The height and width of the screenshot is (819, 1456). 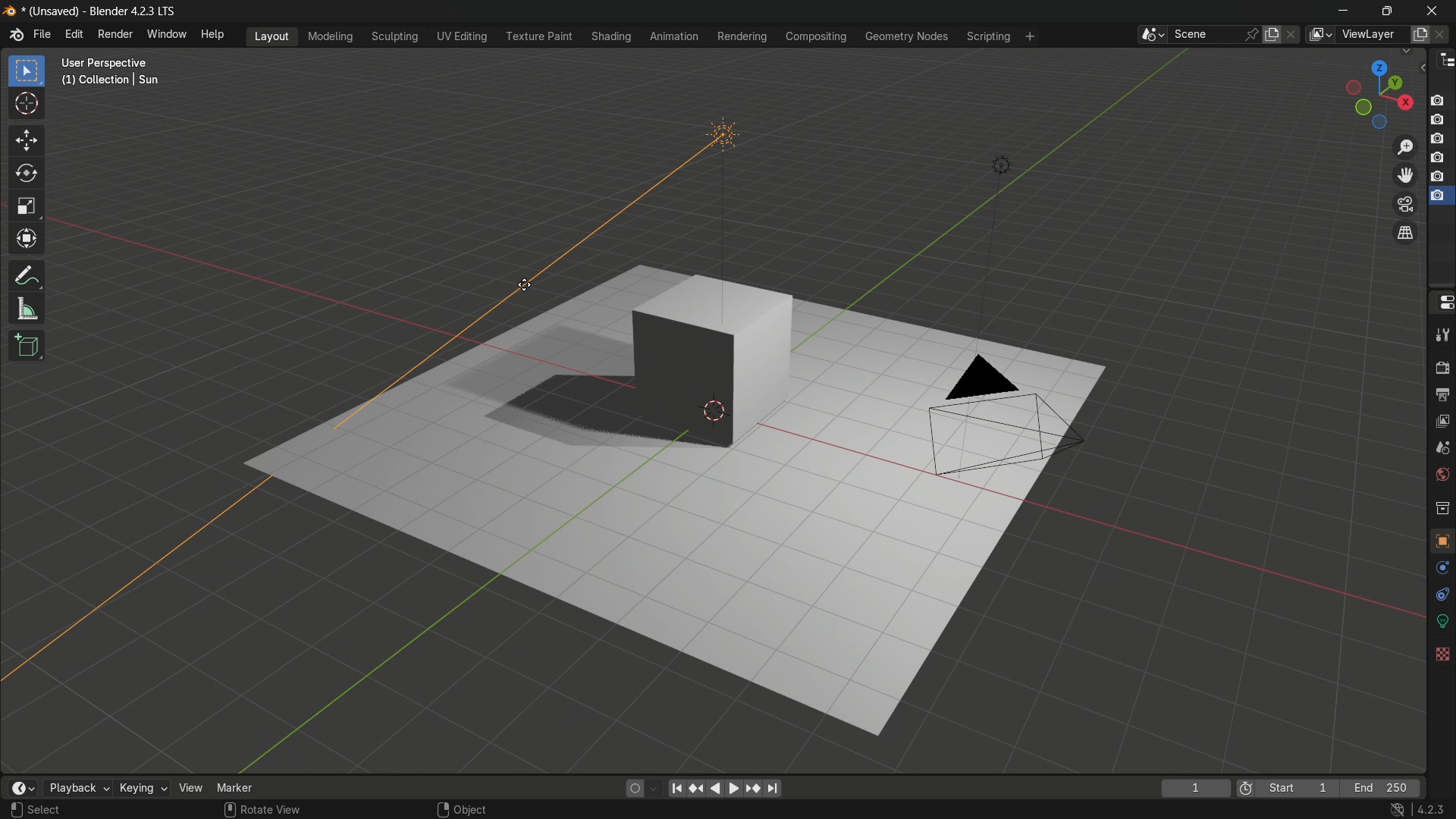 What do you see at coordinates (29, 346) in the screenshot?
I see `add cube` at bounding box center [29, 346].